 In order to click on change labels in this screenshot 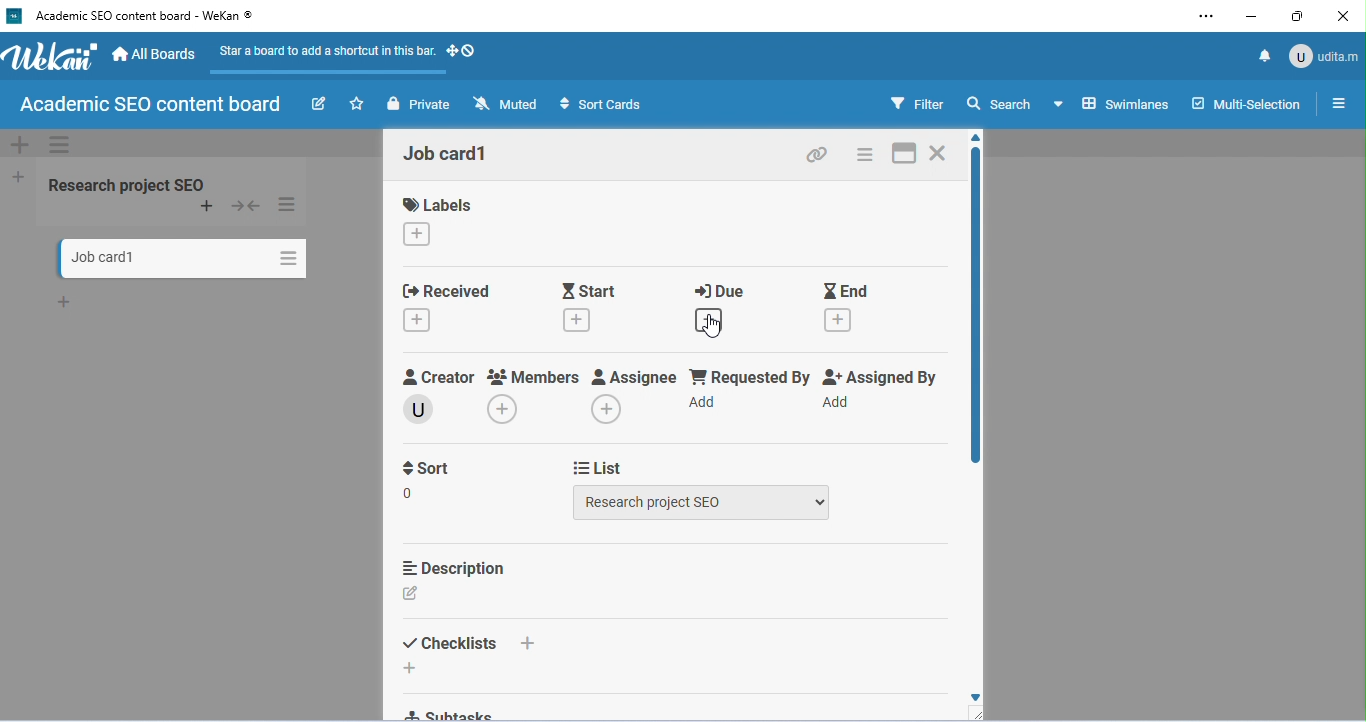, I will do `click(417, 234)`.